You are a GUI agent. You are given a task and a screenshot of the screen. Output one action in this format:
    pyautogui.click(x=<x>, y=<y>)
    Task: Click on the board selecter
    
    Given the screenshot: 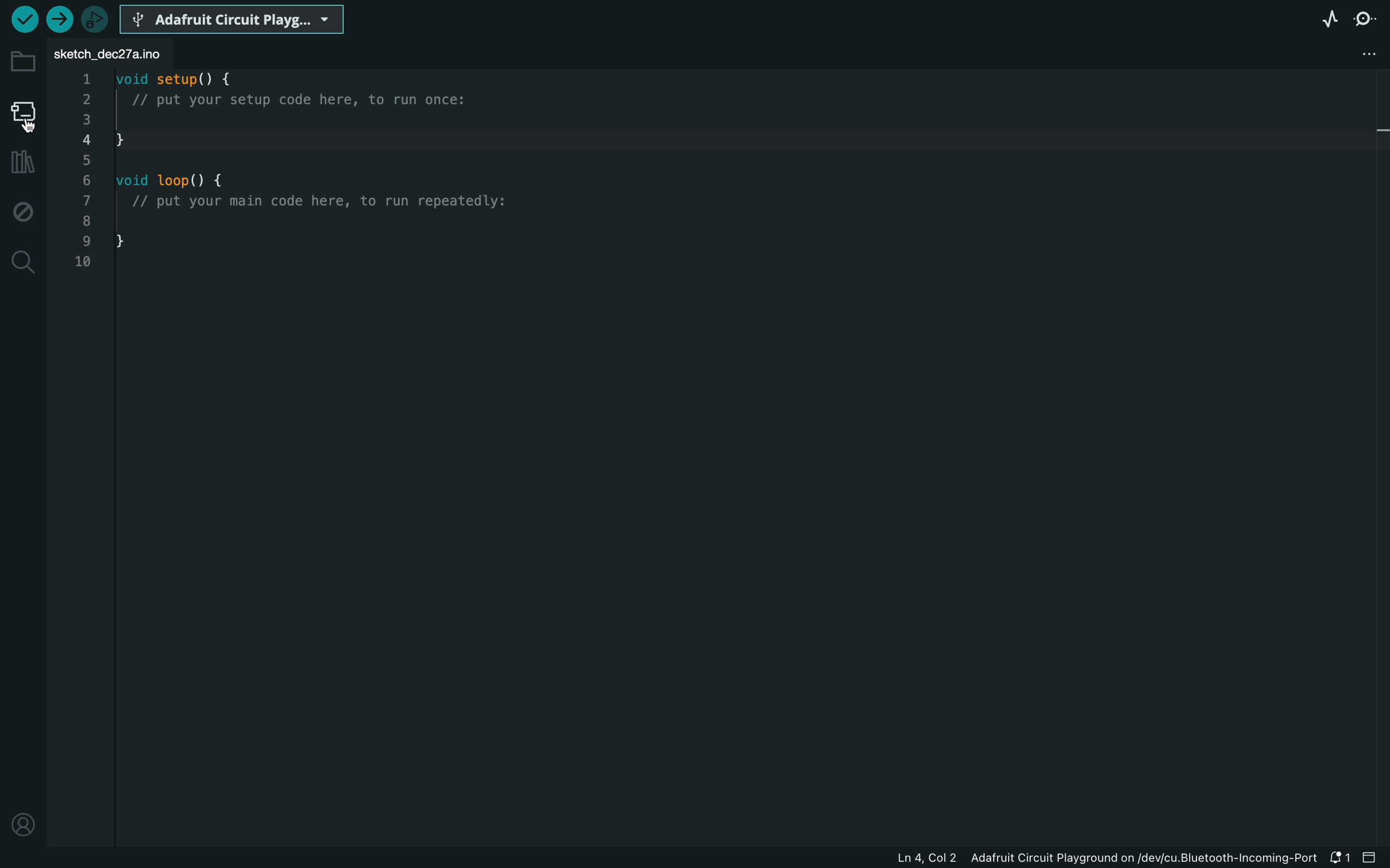 What is the action you would take?
    pyautogui.click(x=235, y=17)
    